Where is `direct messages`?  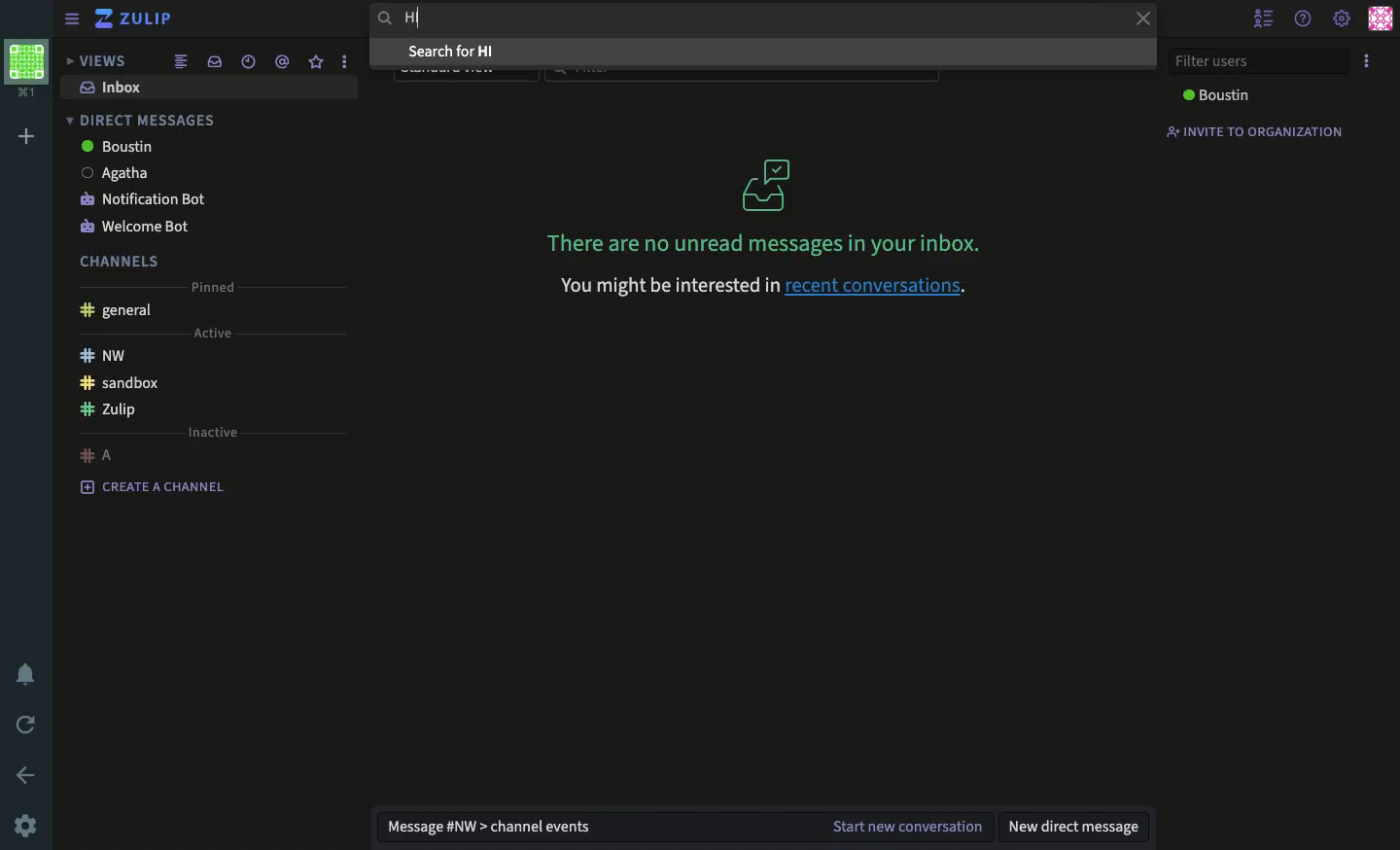 direct messages is located at coordinates (140, 122).